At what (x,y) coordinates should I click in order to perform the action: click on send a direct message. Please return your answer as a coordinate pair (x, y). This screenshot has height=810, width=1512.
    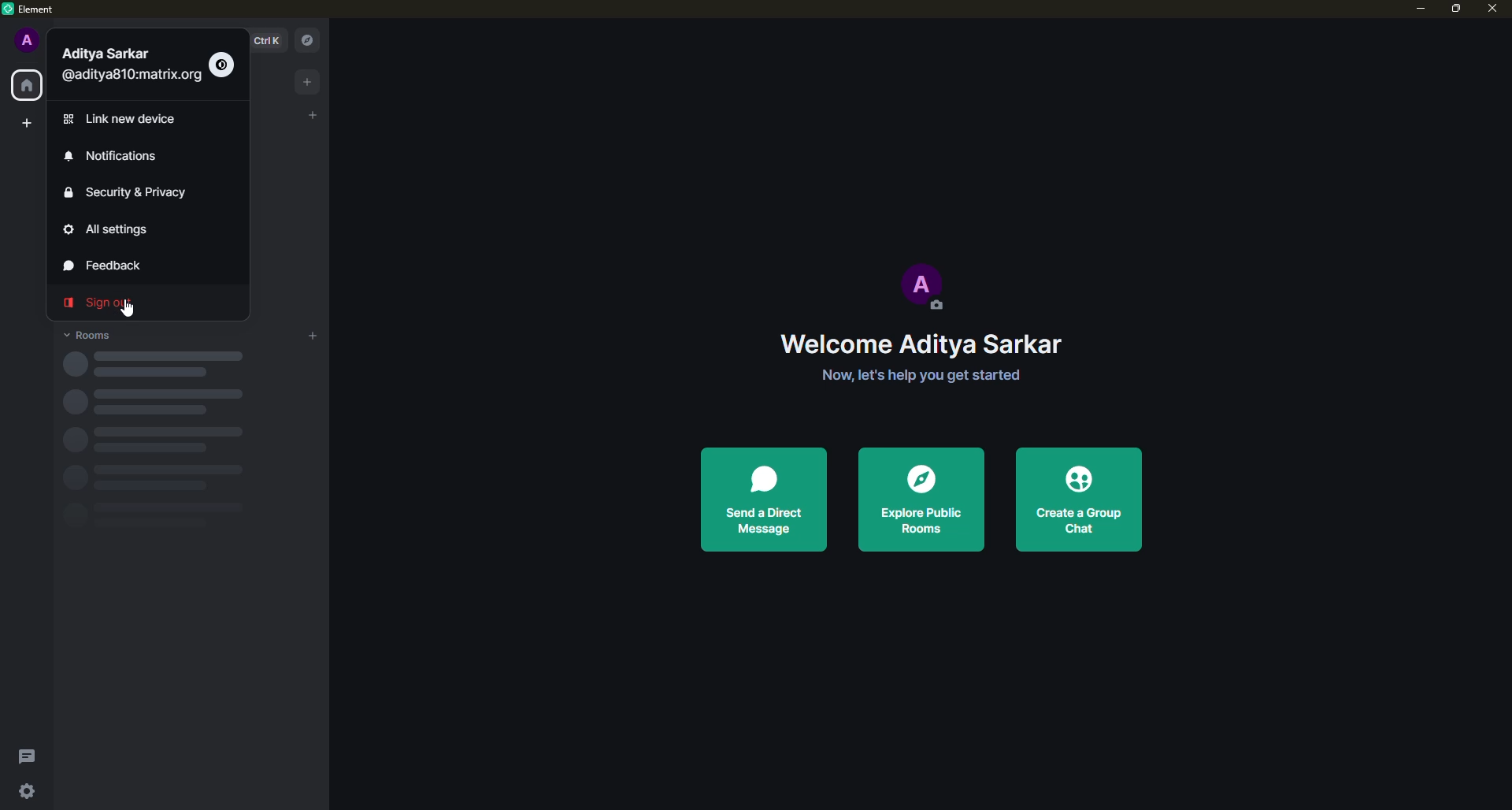
    Looking at the image, I should click on (764, 502).